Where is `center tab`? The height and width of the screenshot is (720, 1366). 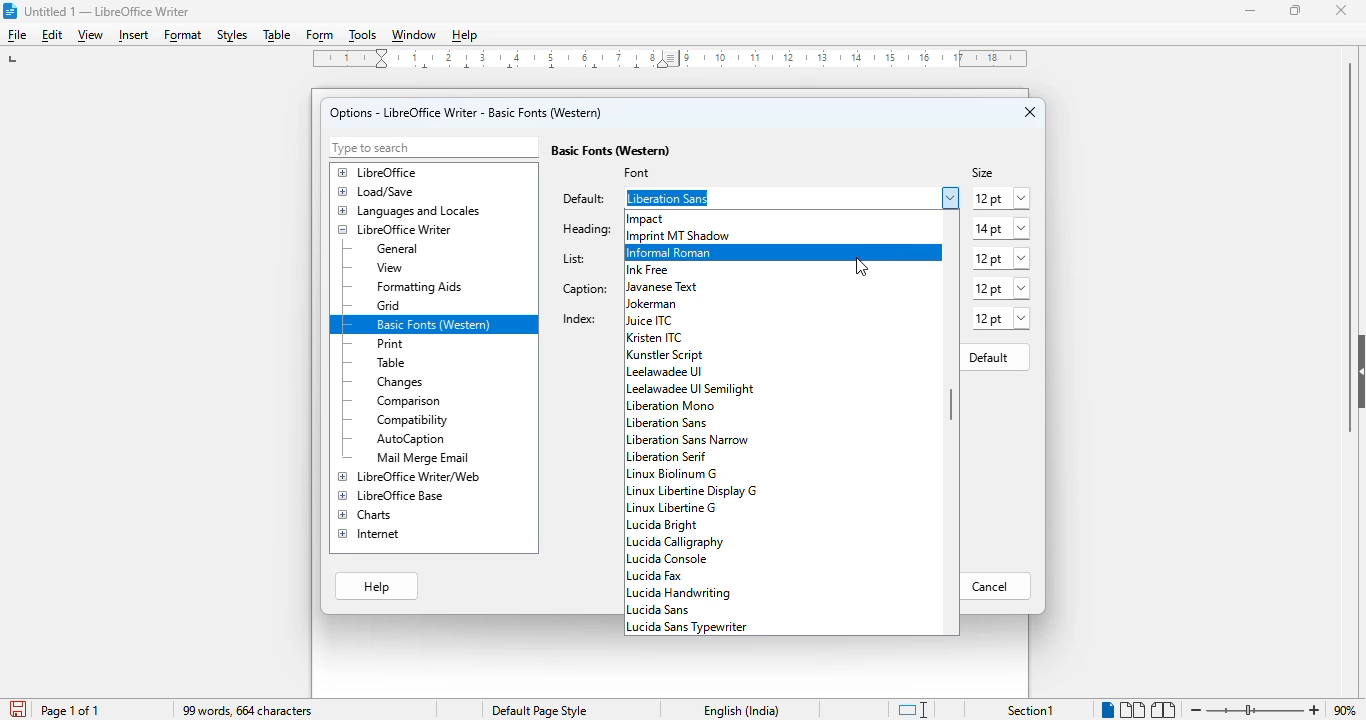
center tab is located at coordinates (593, 69).